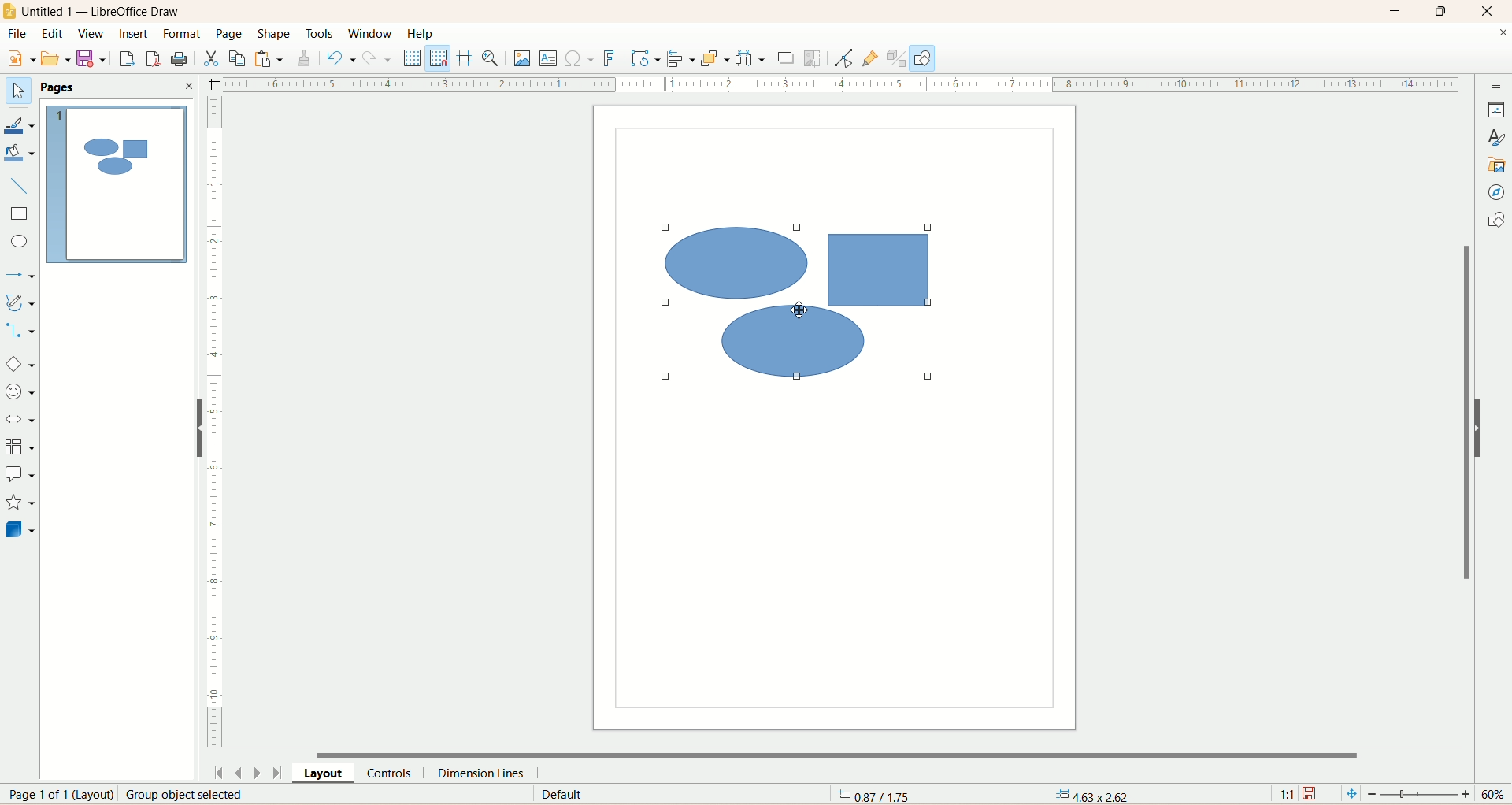  I want to click on special character, so click(582, 60).